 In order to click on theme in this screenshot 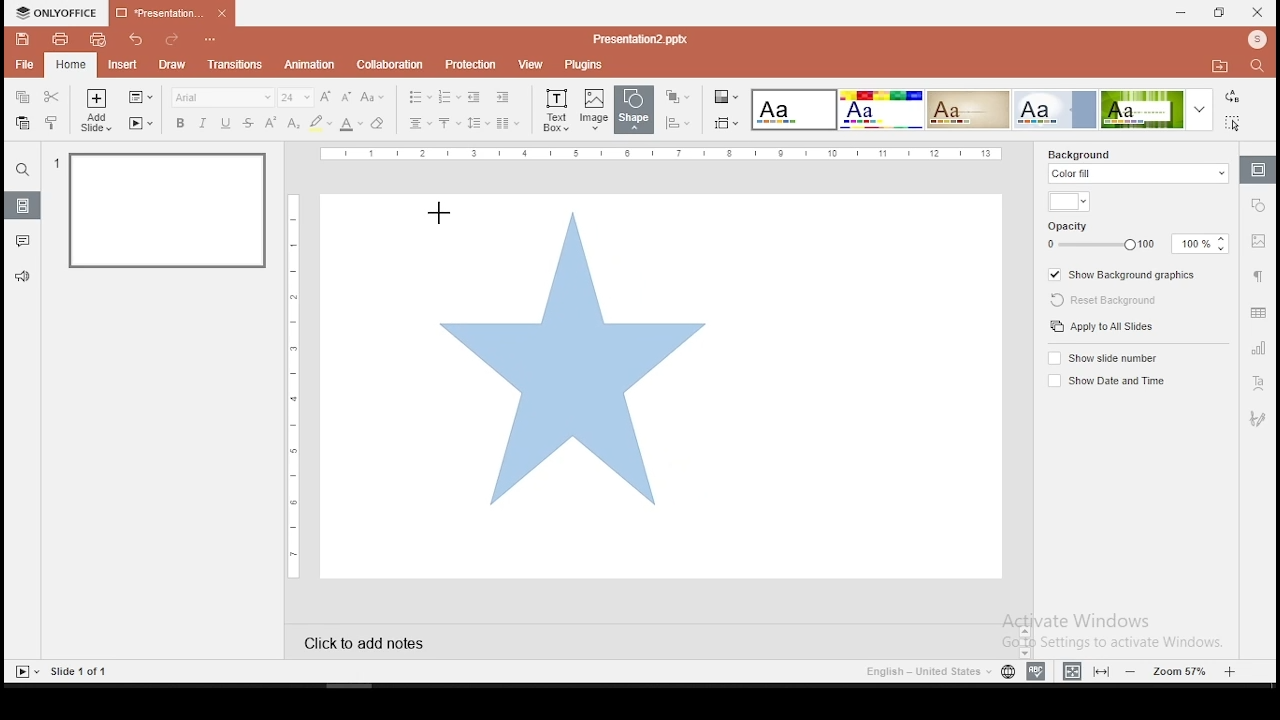, I will do `click(1055, 109)`.